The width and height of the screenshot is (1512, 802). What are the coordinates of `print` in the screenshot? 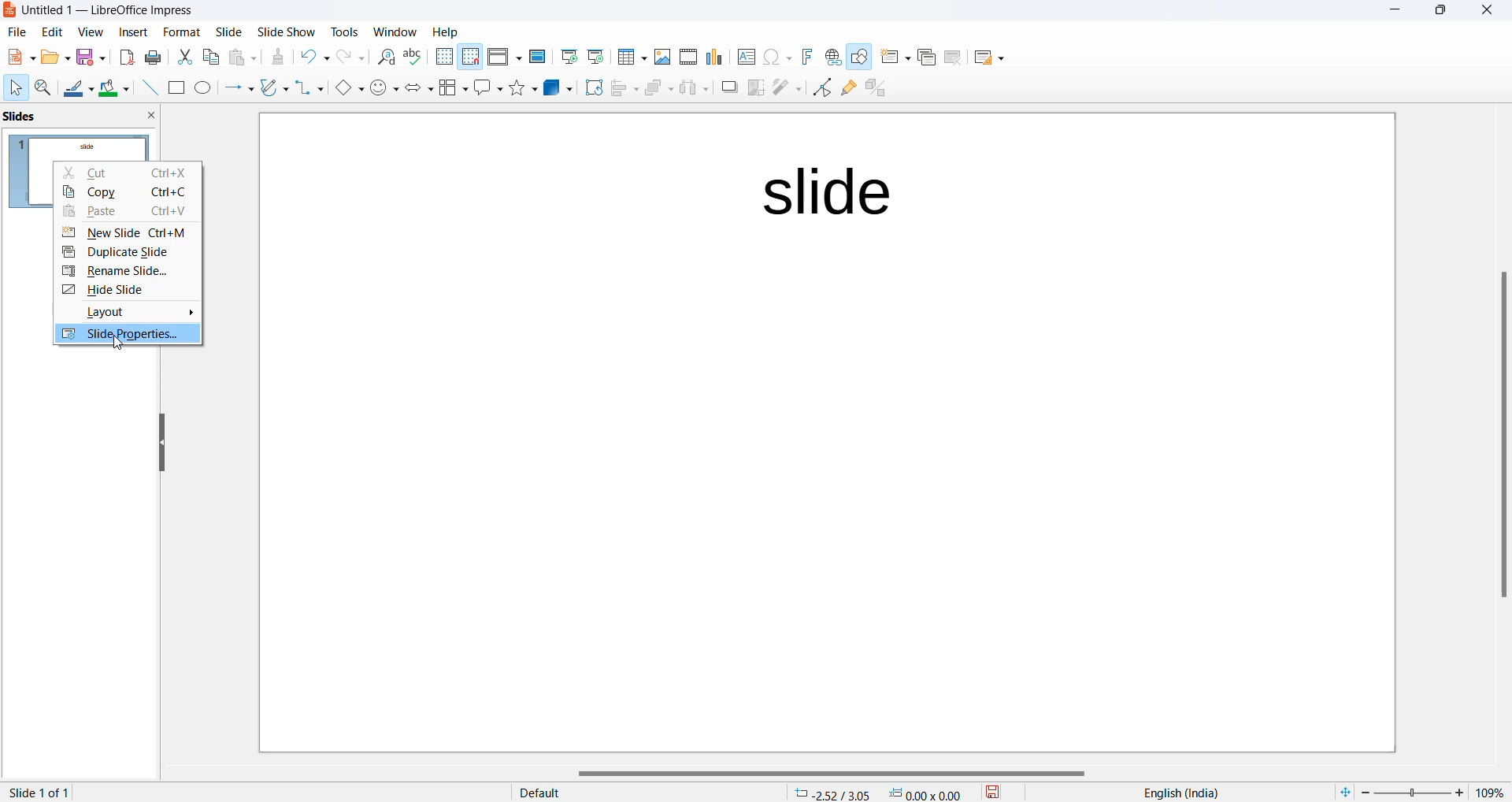 It's located at (157, 57).